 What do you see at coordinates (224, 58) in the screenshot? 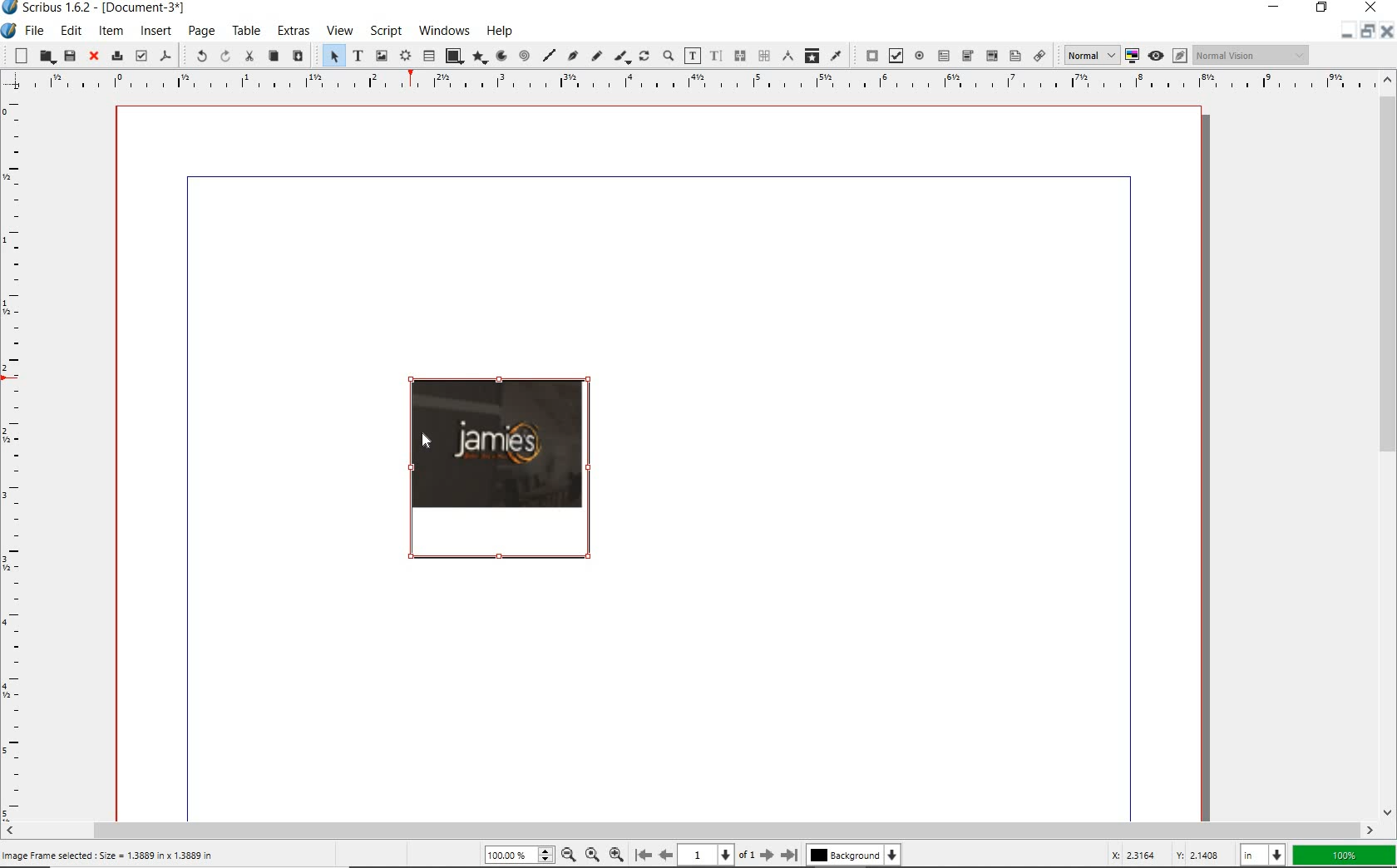
I see `REDO` at bounding box center [224, 58].